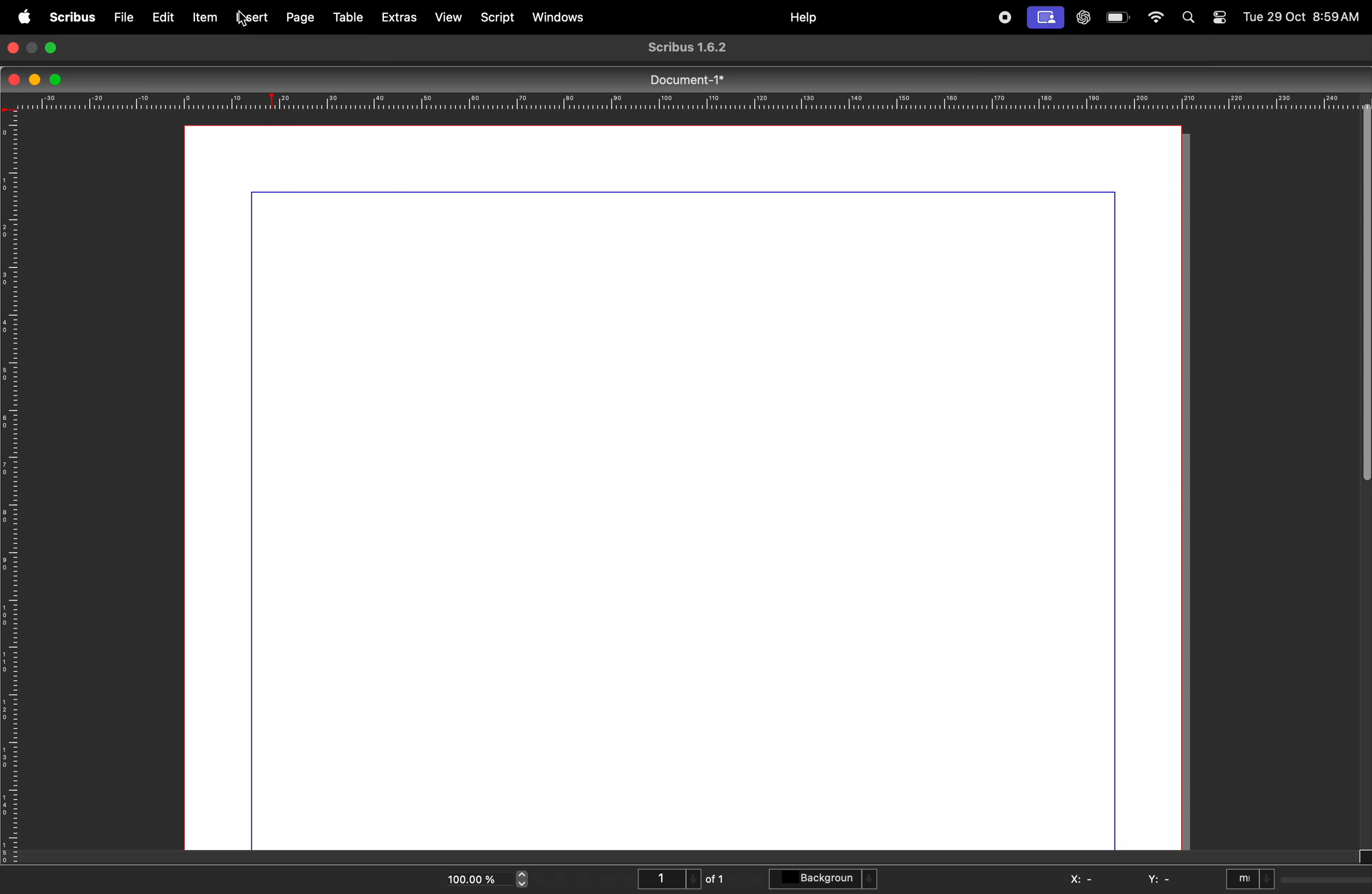 This screenshot has width=1372, height=894. I want to click on maximize, so click(57, 80).